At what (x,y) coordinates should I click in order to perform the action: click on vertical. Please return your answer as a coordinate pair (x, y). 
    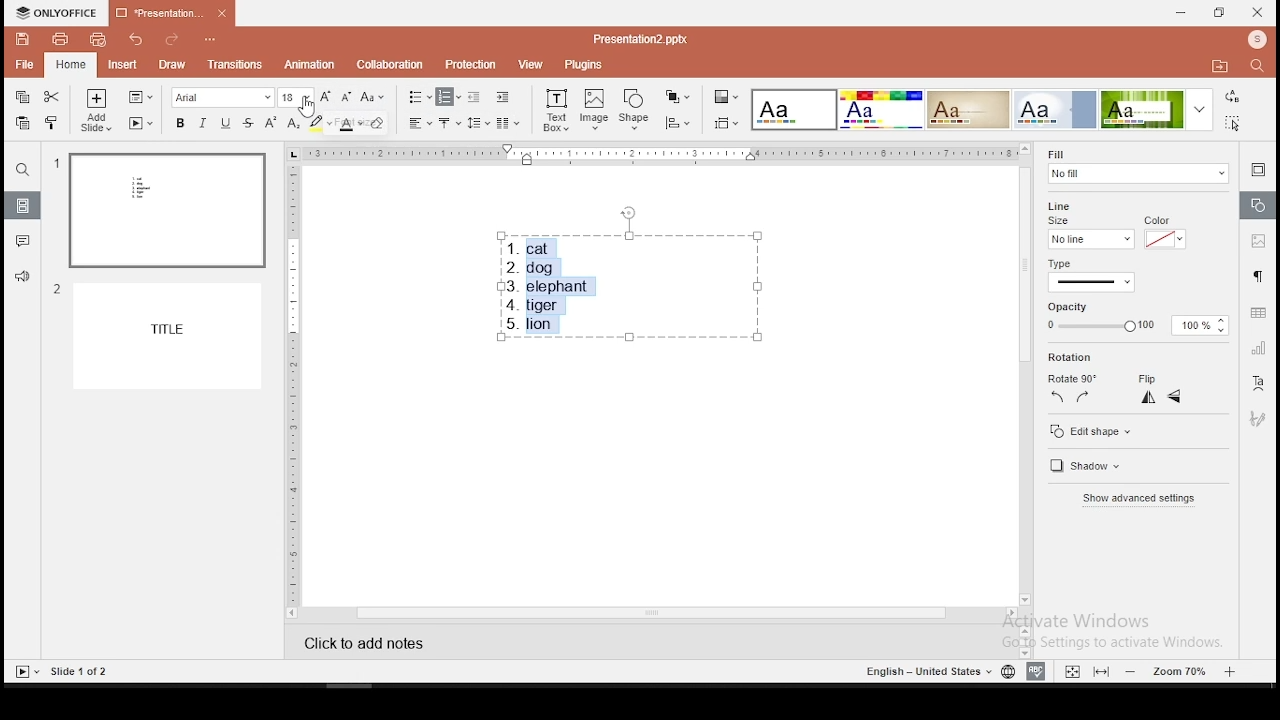
    Looking at the image, I should click on (1149, 399).